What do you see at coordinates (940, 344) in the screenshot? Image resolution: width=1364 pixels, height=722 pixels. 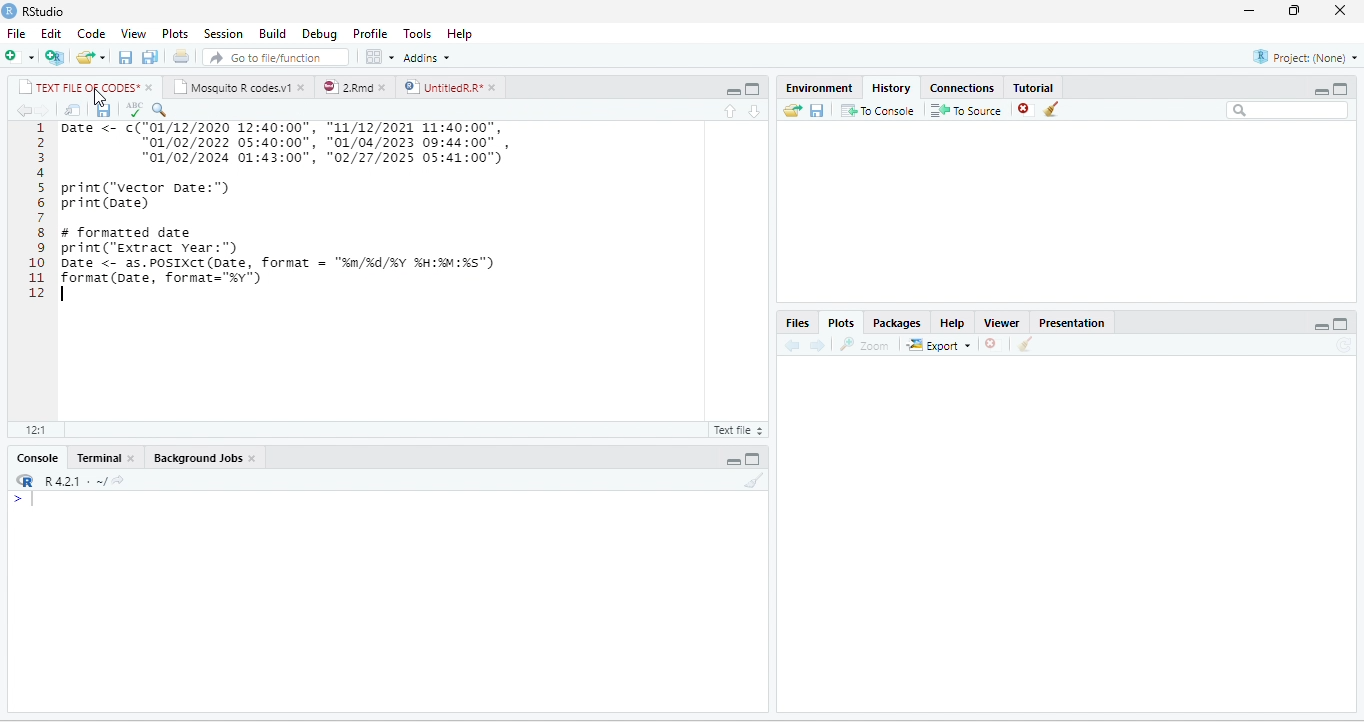 I see `Export` at bounding box center [940, 344].